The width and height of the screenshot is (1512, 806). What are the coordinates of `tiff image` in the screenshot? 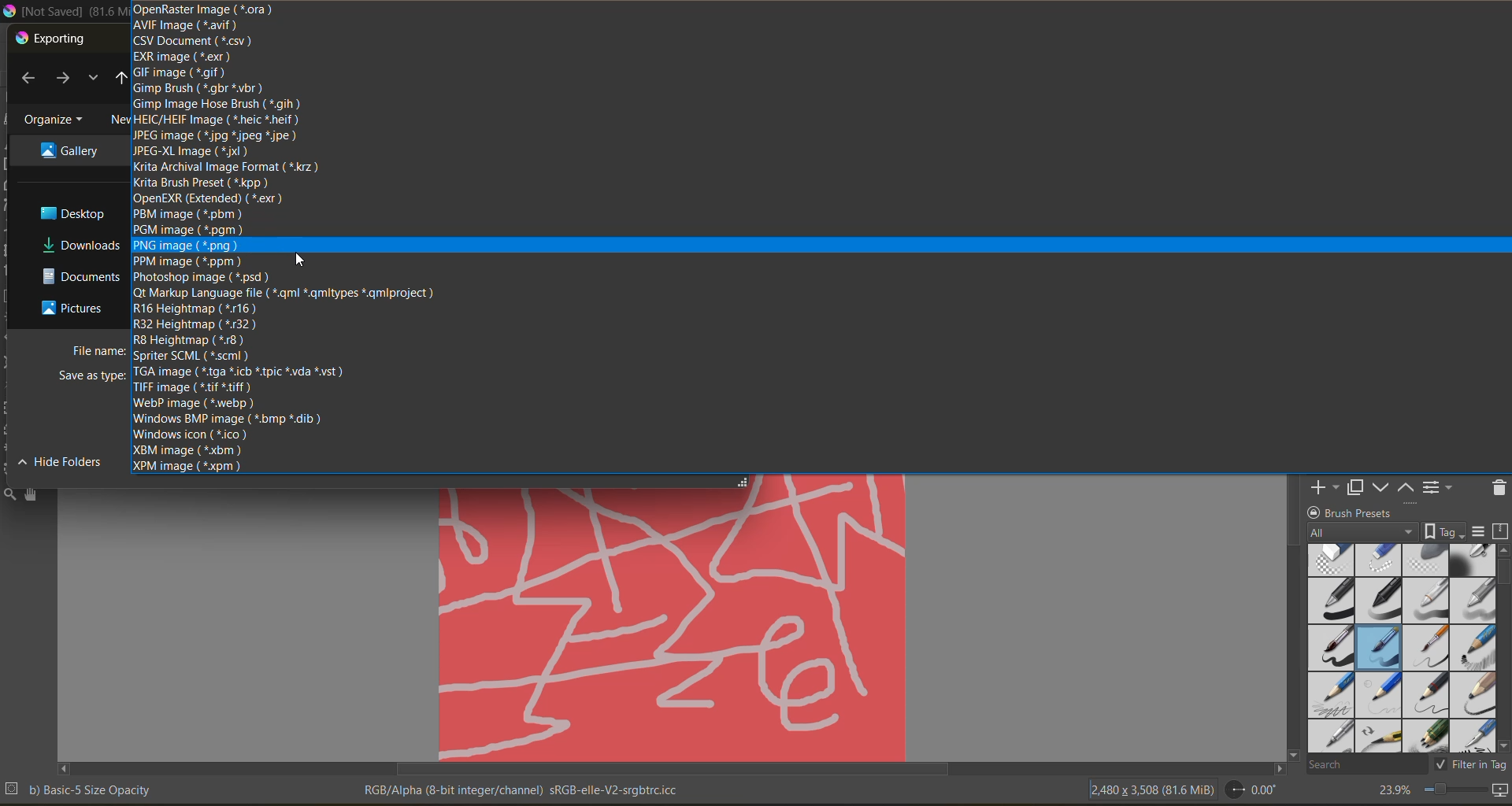 It's located at (194, 386).